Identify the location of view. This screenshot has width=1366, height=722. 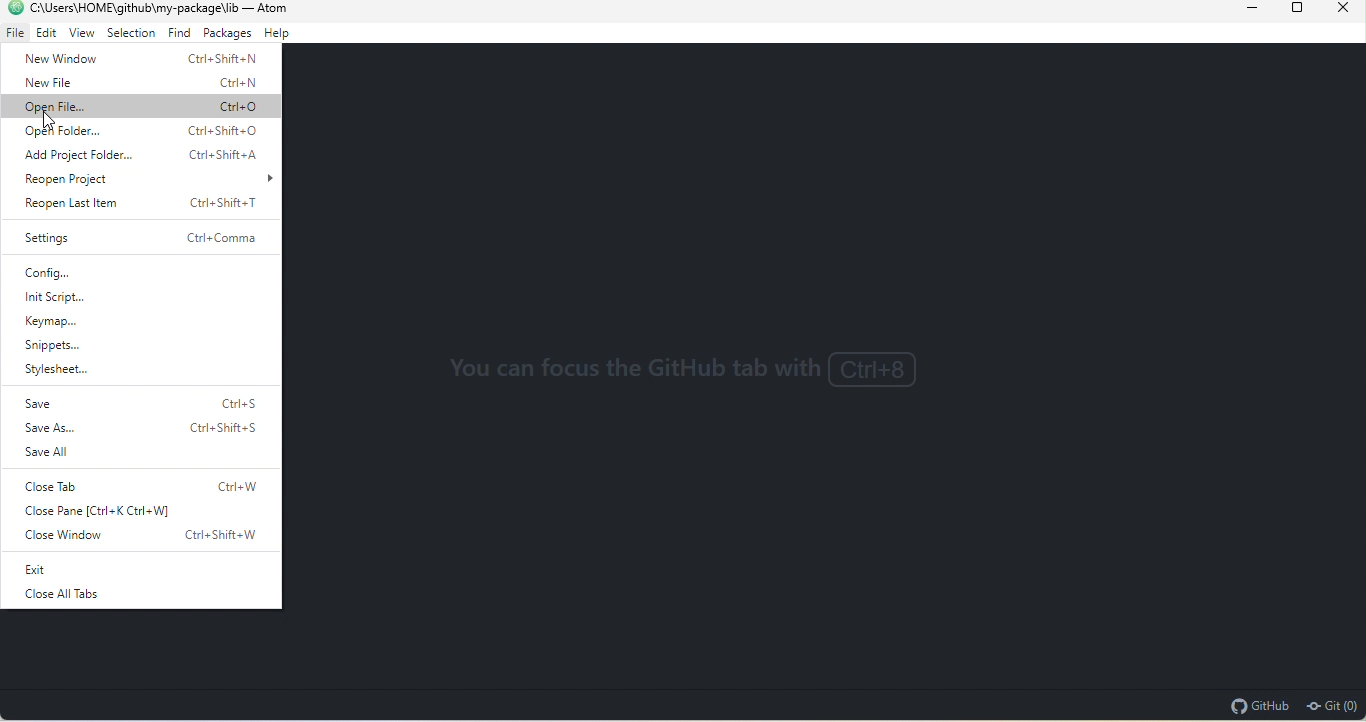
(81, 36).